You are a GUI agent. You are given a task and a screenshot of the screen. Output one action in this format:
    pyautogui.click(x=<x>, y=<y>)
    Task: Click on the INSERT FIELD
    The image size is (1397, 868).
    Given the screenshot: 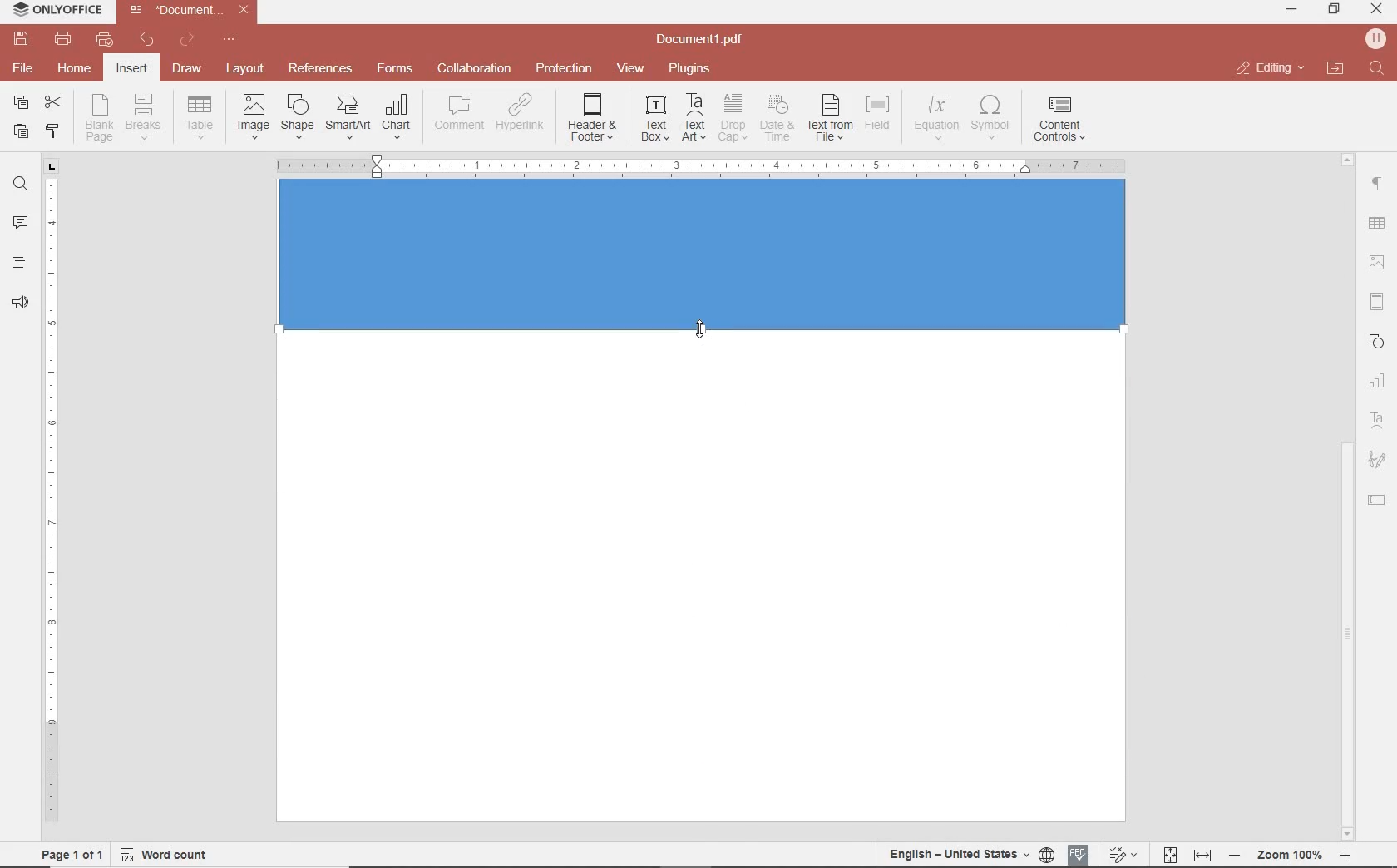 What is the action you would take?
    pyautogui.click(x=879, y=113)
    